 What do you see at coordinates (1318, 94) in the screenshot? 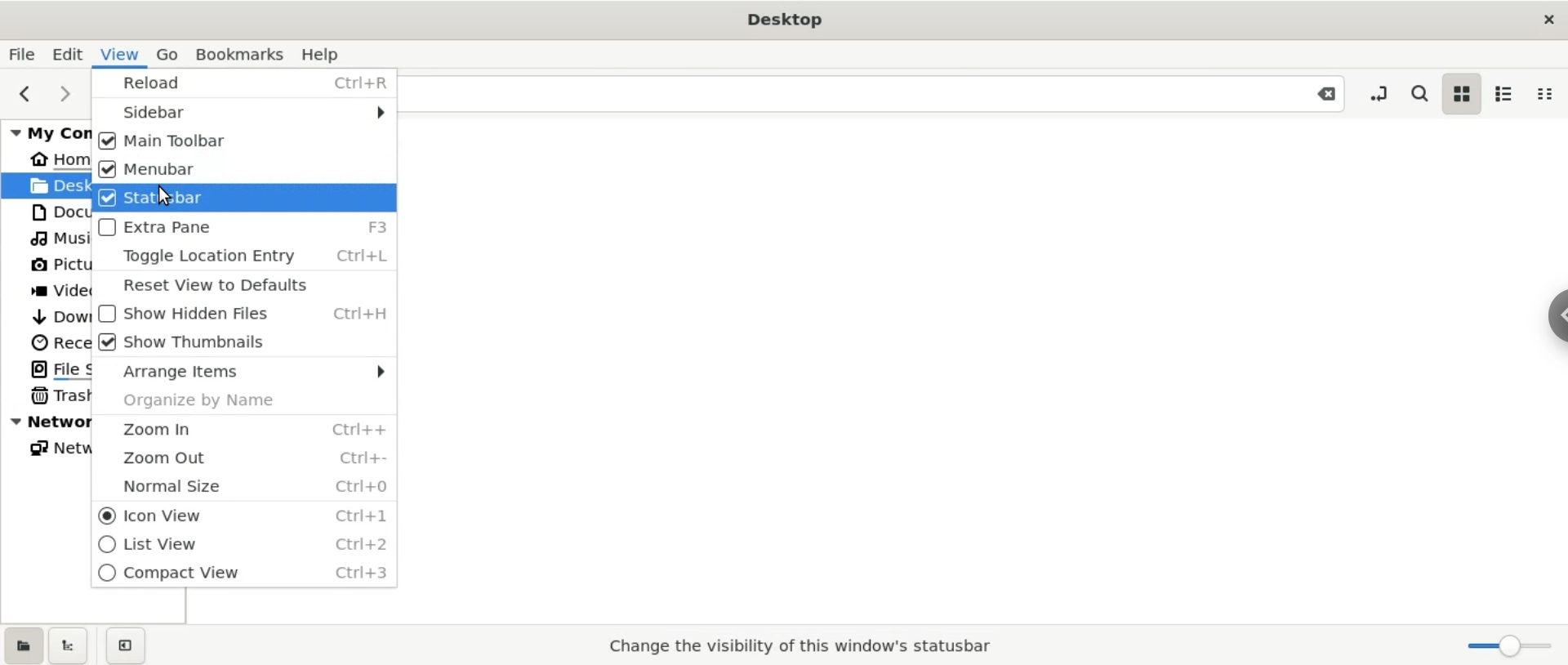
I see `Close` at bounding box center [1318, 94].